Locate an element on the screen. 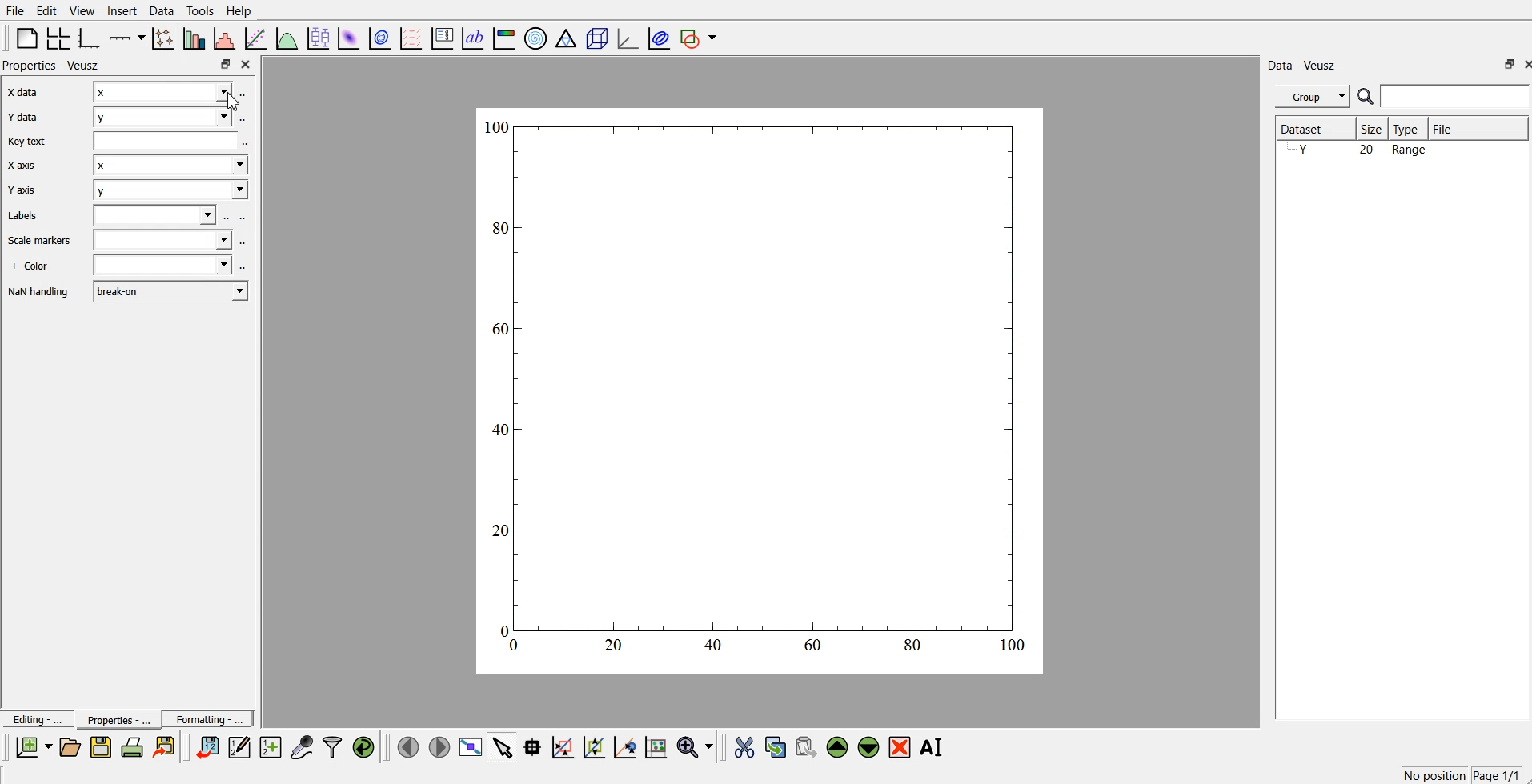  plot a 2d dataset as an is located at coordinates (348, 37).